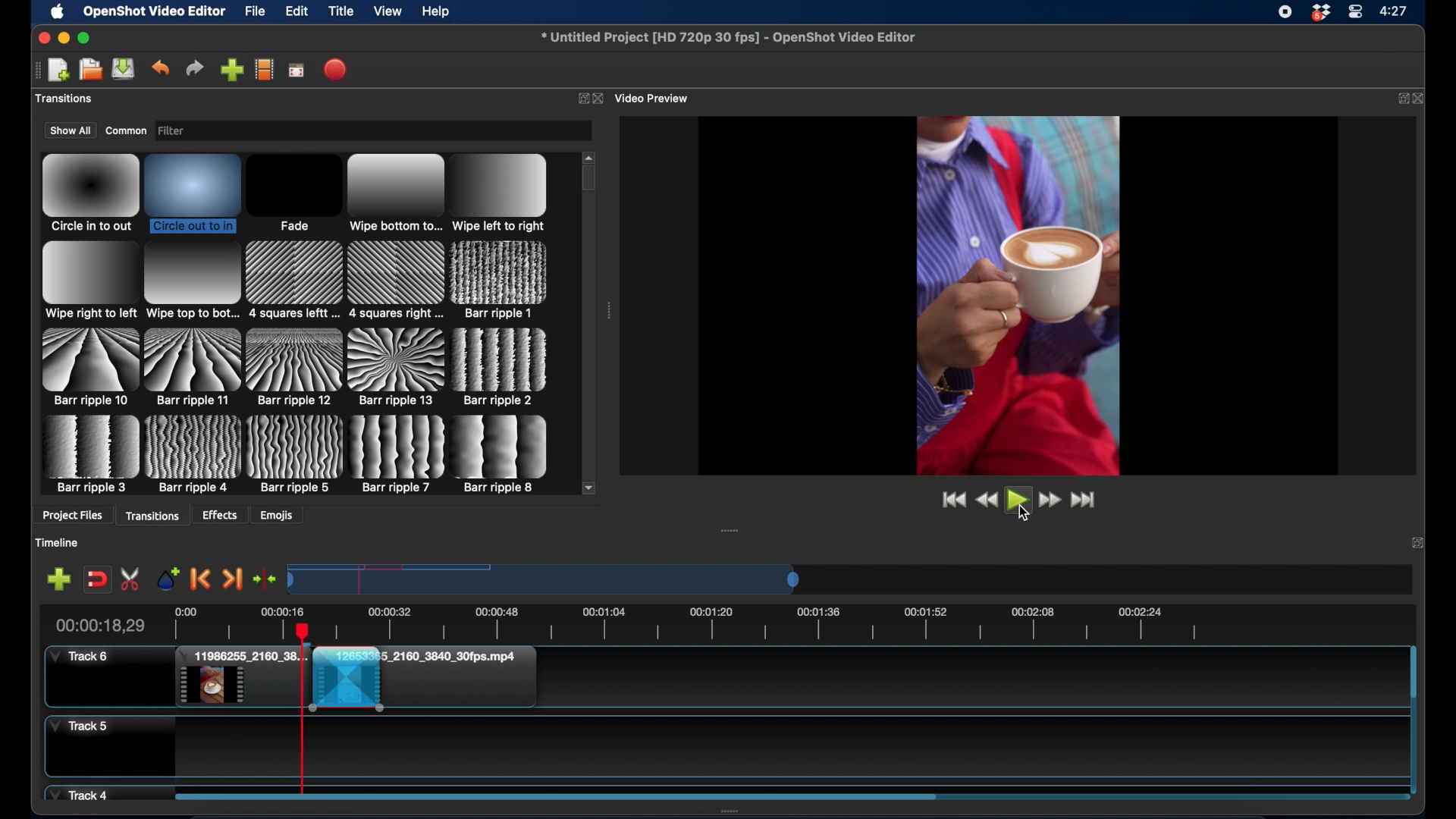 Image resolution: width=1456 pixels, height=819 pixels. I want to click on clip, so click(500, 678).